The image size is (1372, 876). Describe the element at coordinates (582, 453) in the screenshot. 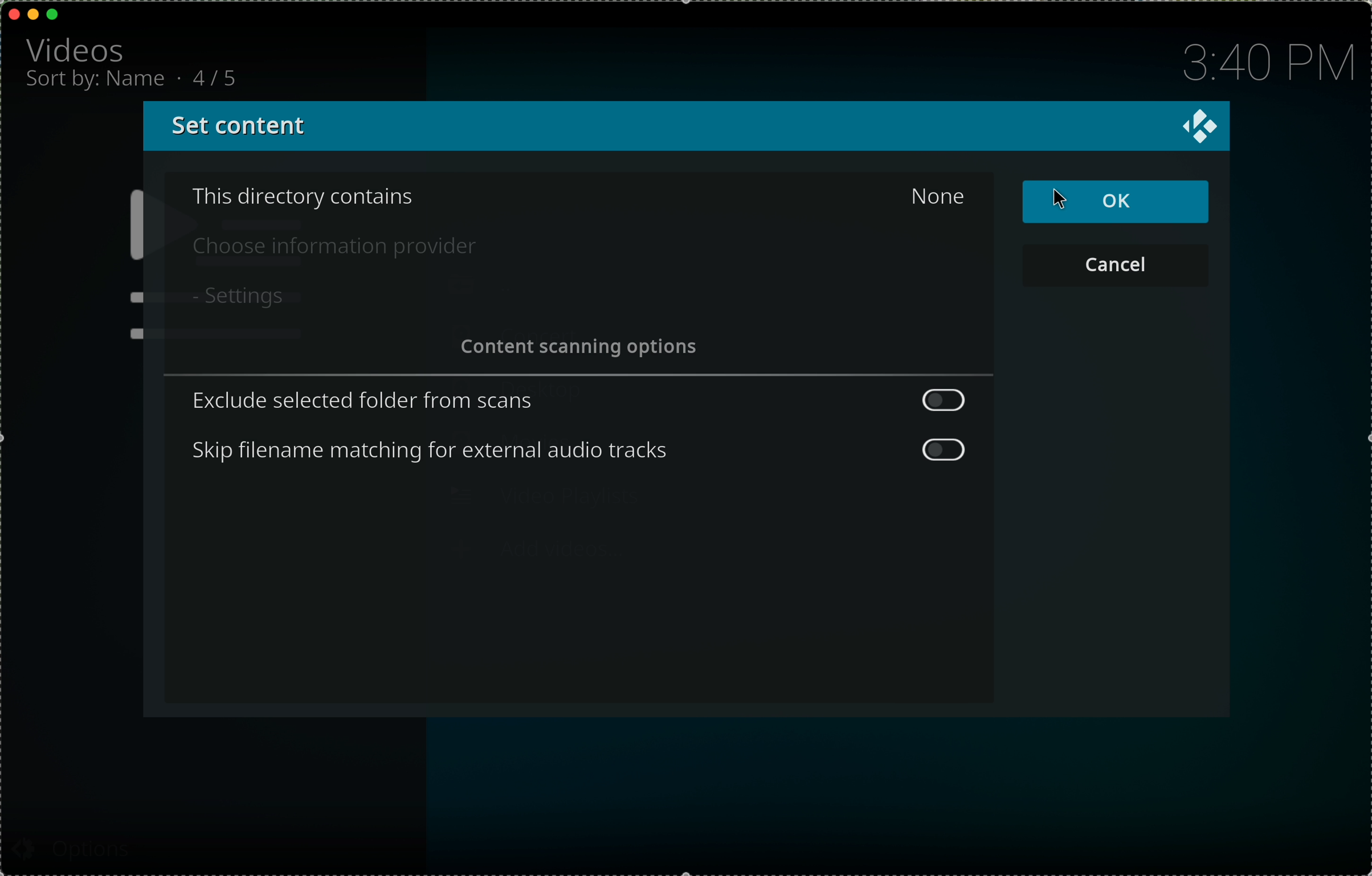

I see `skip filename matching for external audio tracks option` at that location.